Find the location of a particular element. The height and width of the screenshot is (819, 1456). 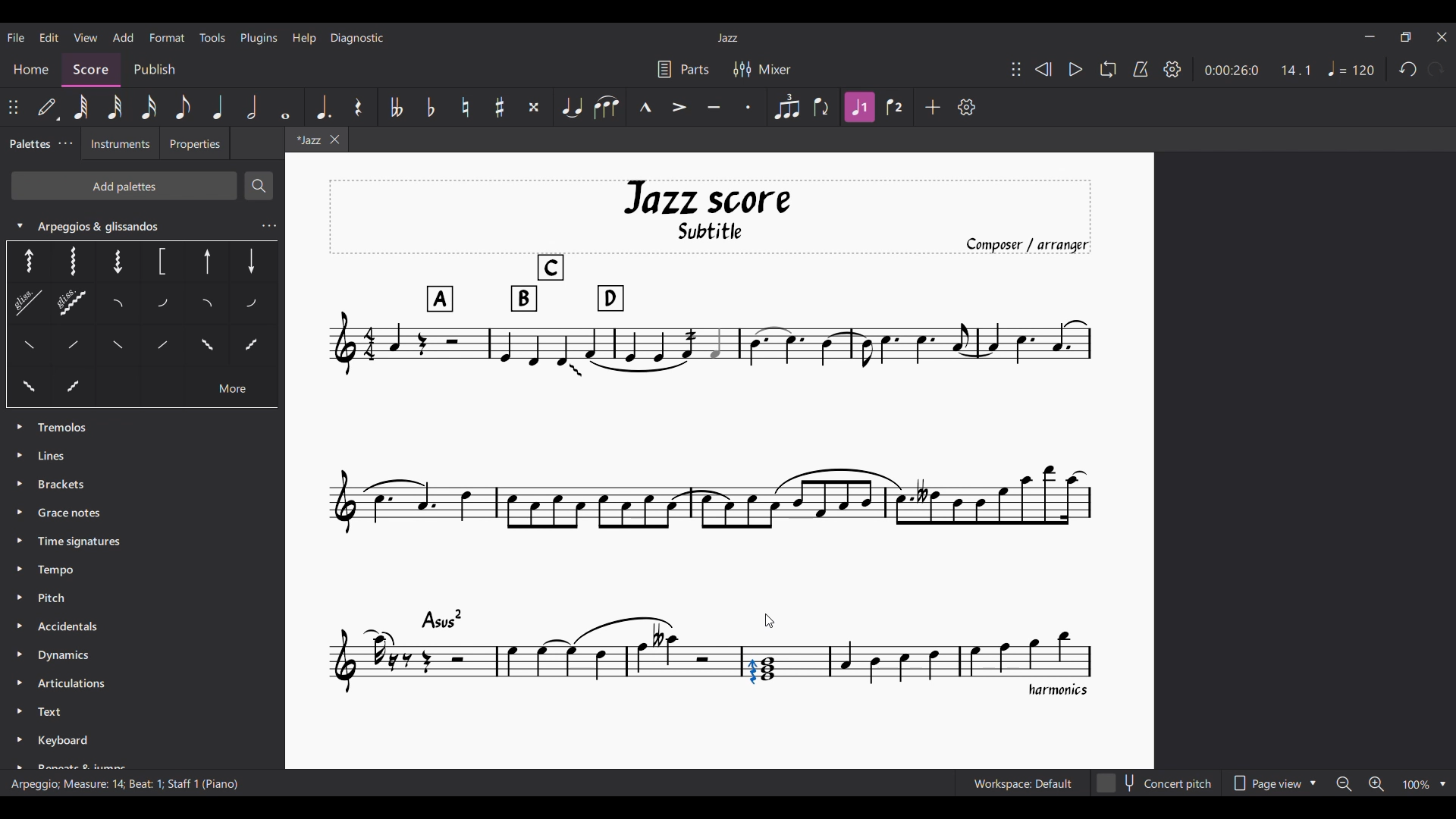

 is located at coordinates (74, 347).